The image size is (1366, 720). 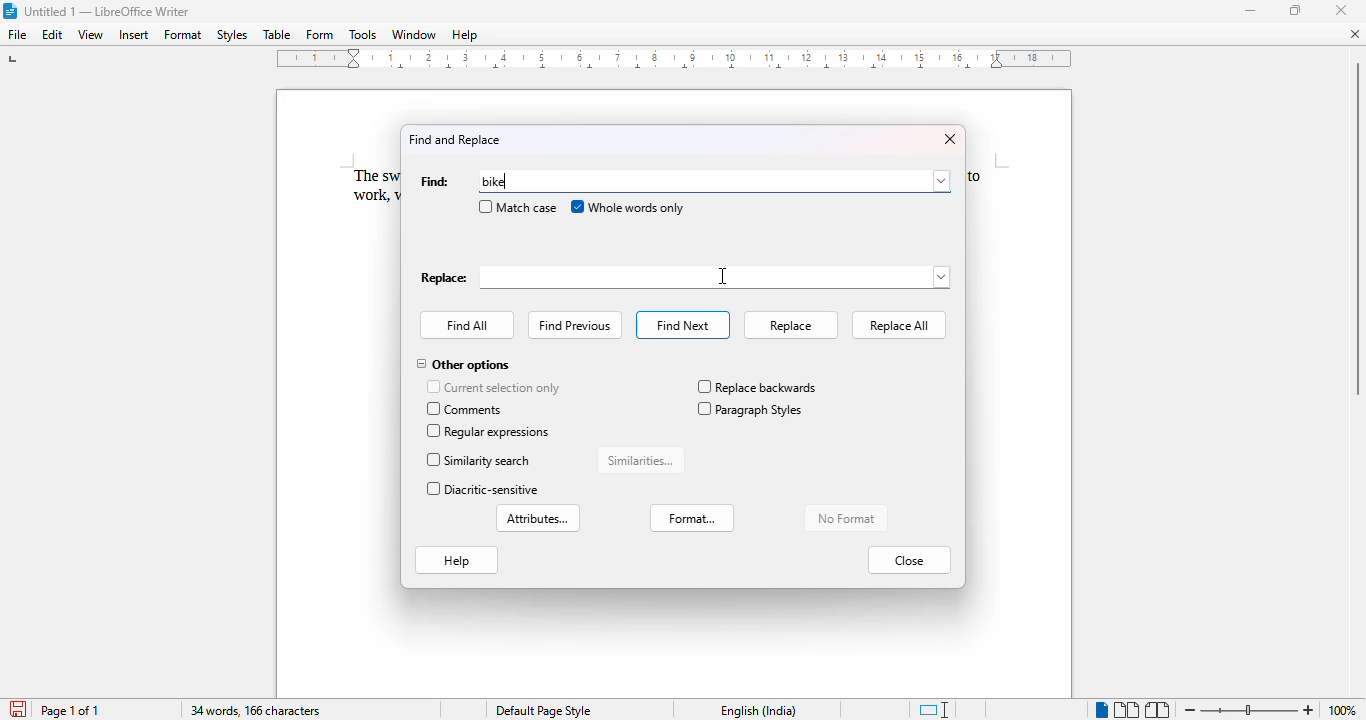 I want to click on replace, so click(x=685, y=278).